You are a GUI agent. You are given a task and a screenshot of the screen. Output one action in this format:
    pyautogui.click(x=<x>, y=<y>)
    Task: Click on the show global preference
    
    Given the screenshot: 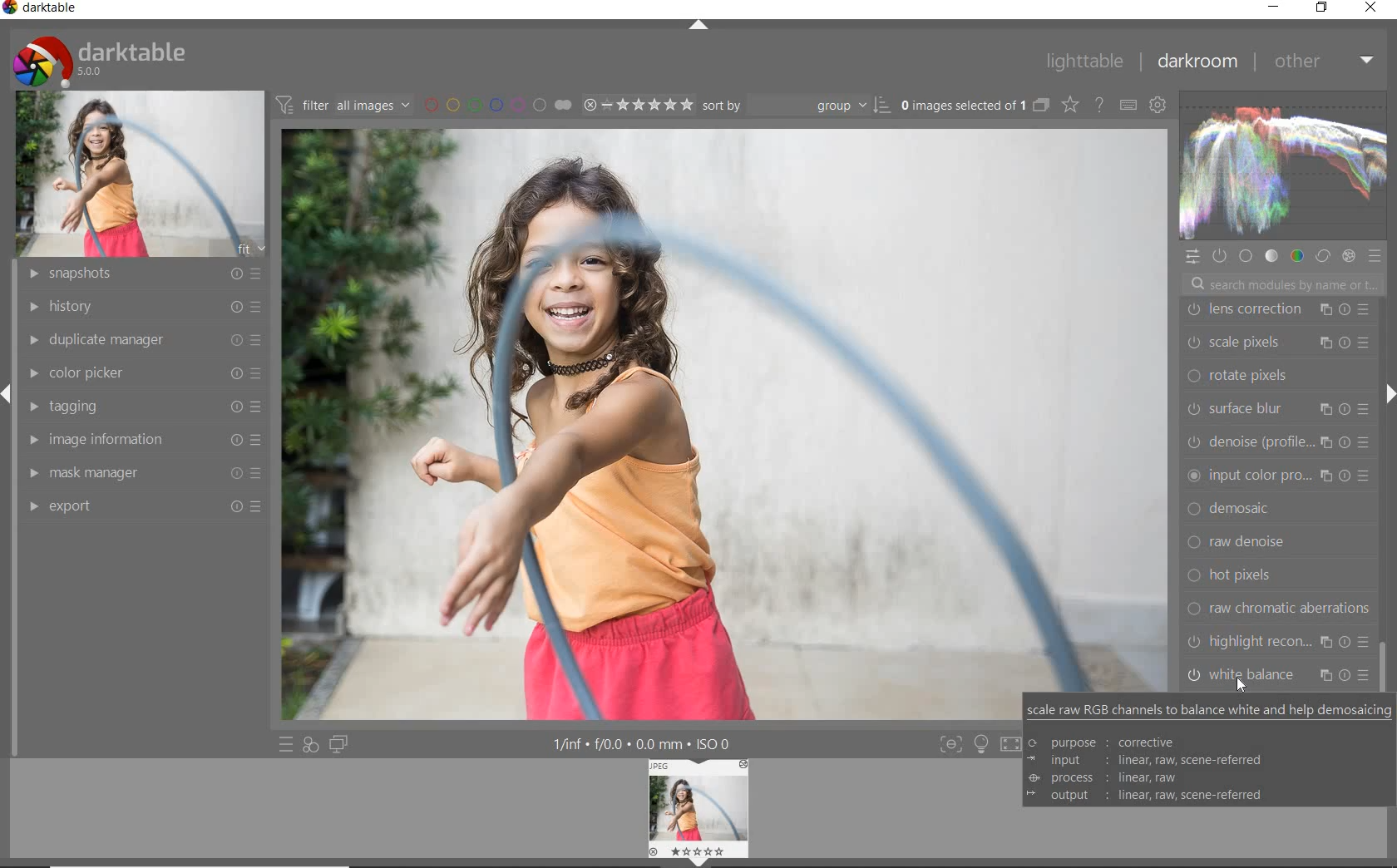 What is the action you would take?
    pyautogui.click(x=1158, y=106)
    